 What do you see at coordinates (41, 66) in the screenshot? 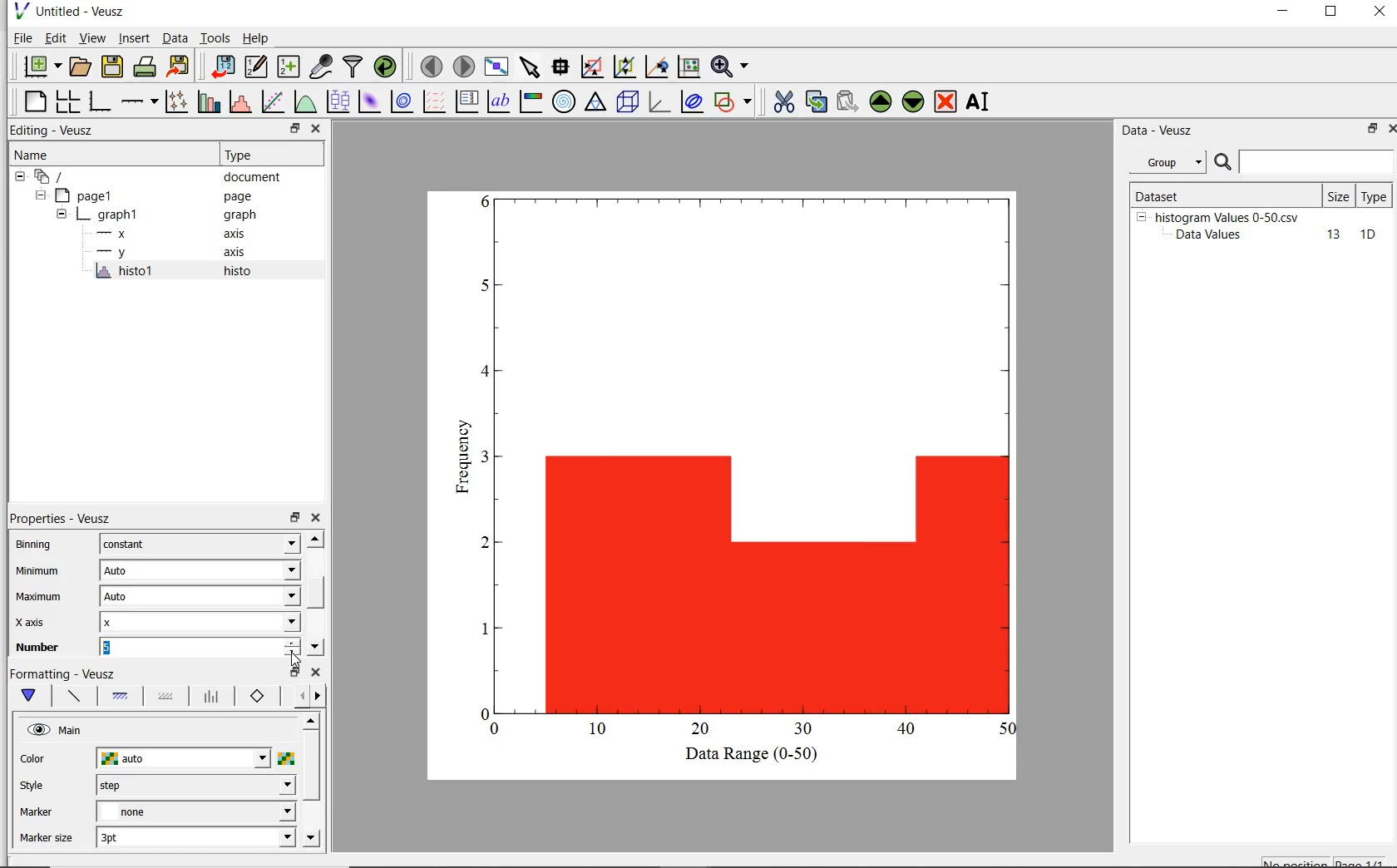
I see `new document` at bounding box center [41, 66].